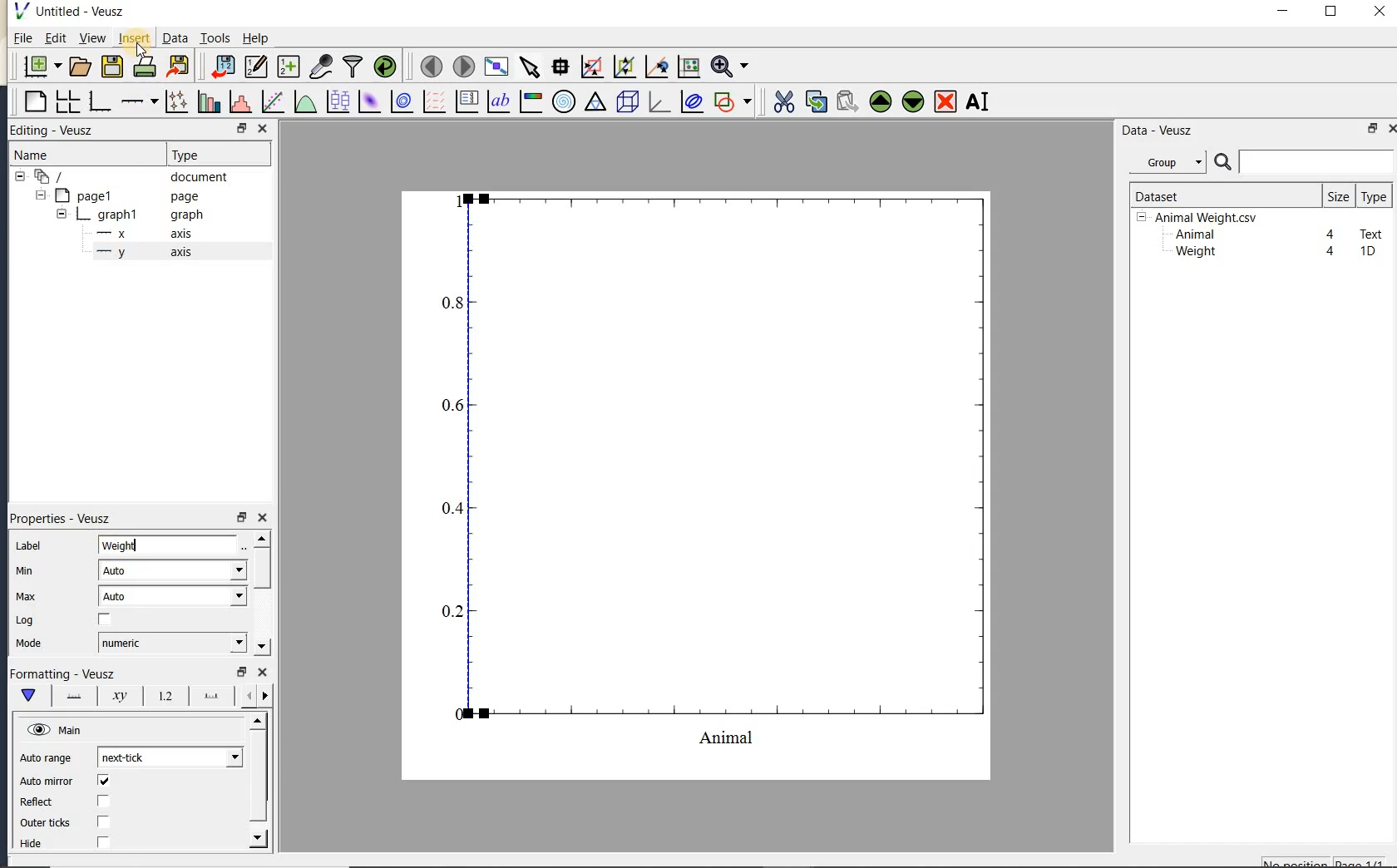 The height and width of the screenshot is (868, 1397). What do you see at coordinates (170, 757) in the screenshot?
I see `next click` at bounding box center [170, 757].